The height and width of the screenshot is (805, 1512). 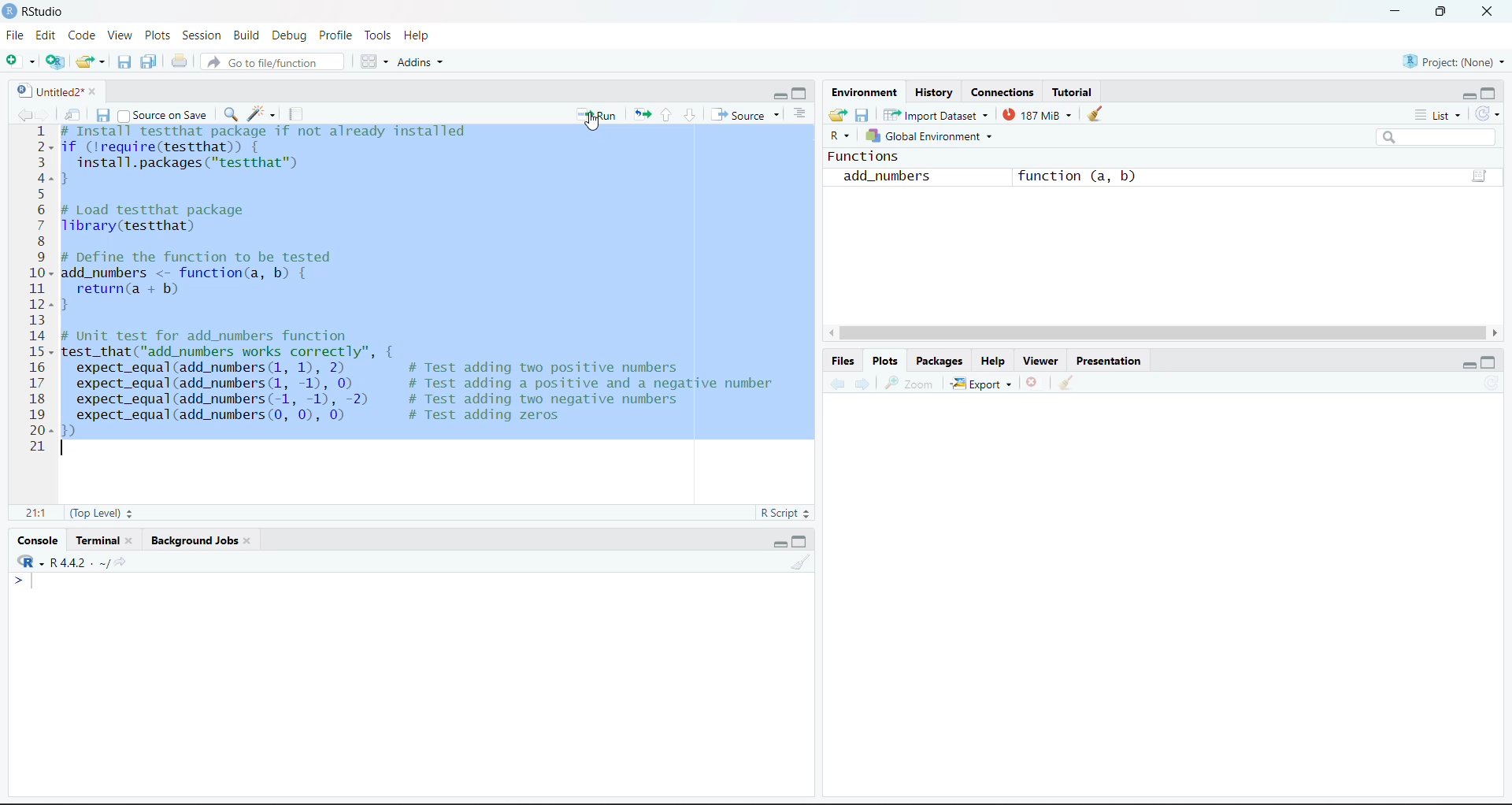 What do you see at coordinates (668, 116) in the screenshot?
I see `go to previous section of the chunk` at bounding box center [668, 116].